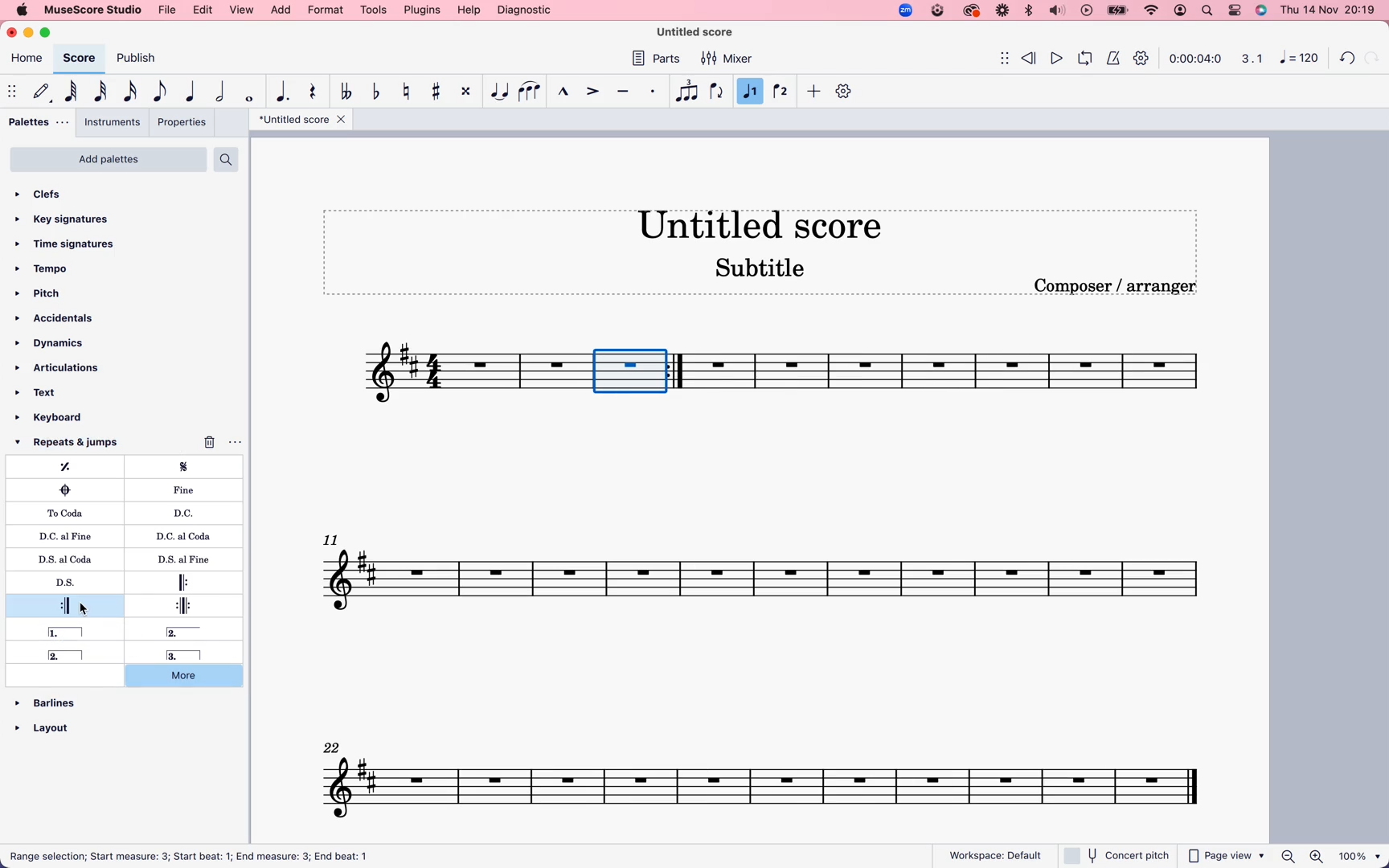  I want to click on voice 1, so click(750, 92).